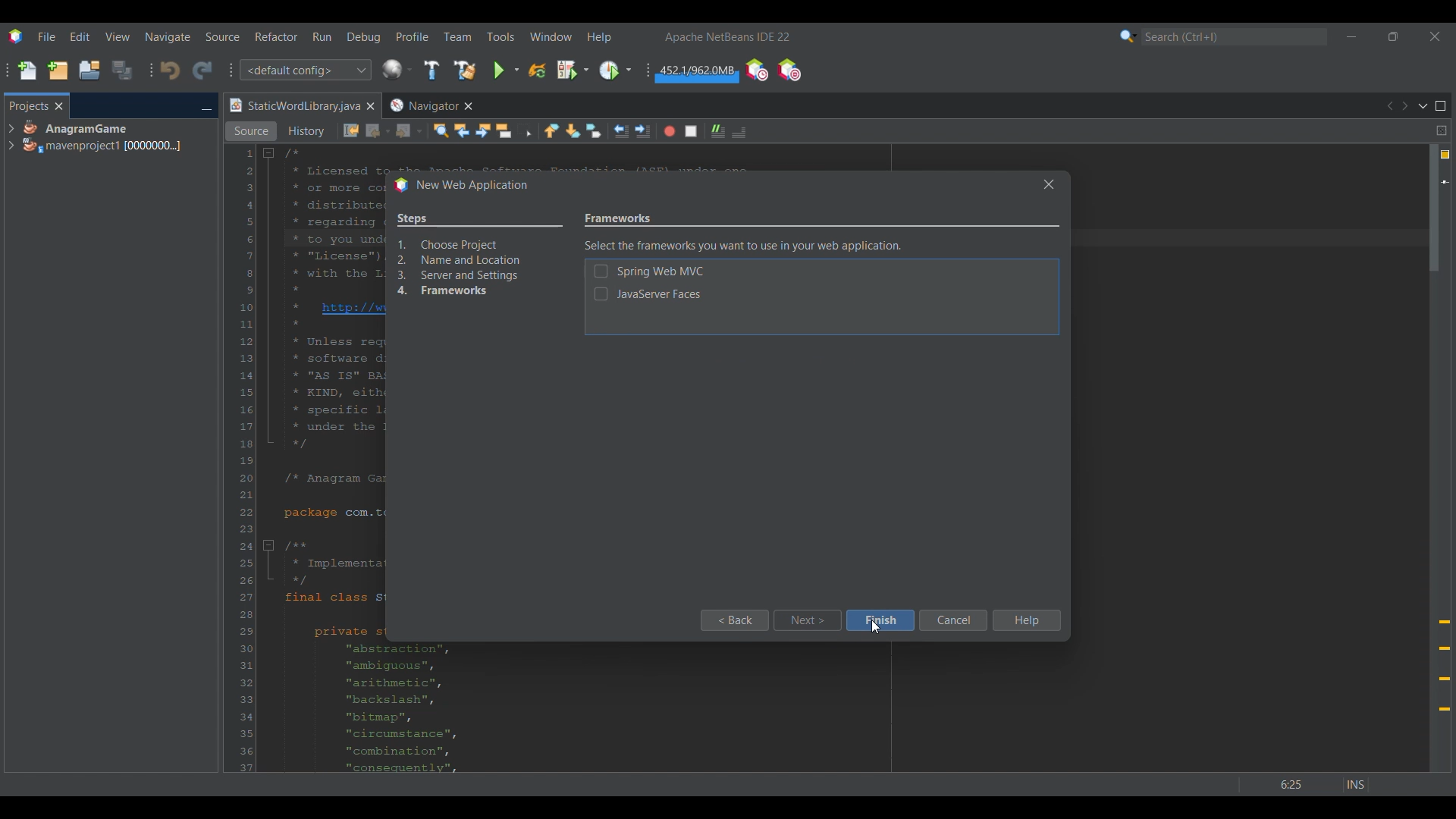  I want to click on Toggle bookmarks, so click(593, 130).